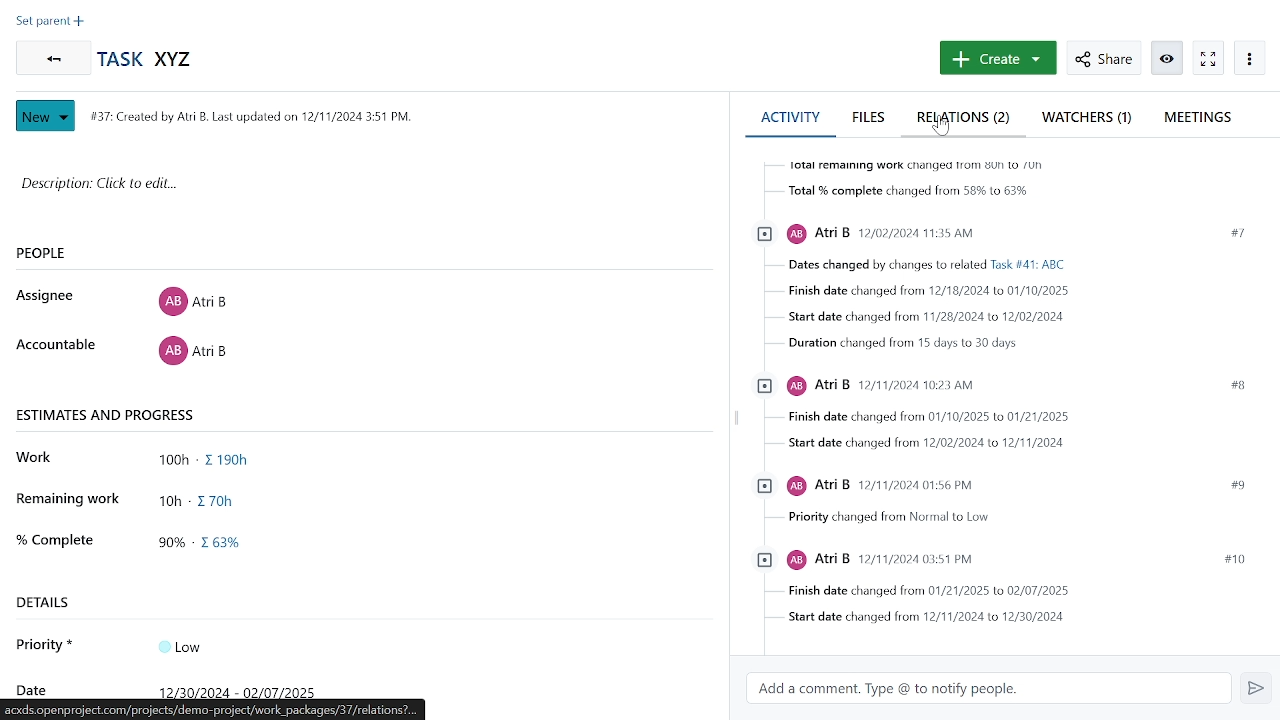 The height and width of the screenshot is (720, 1280). I want to click on add a comment, so click(986, 690).